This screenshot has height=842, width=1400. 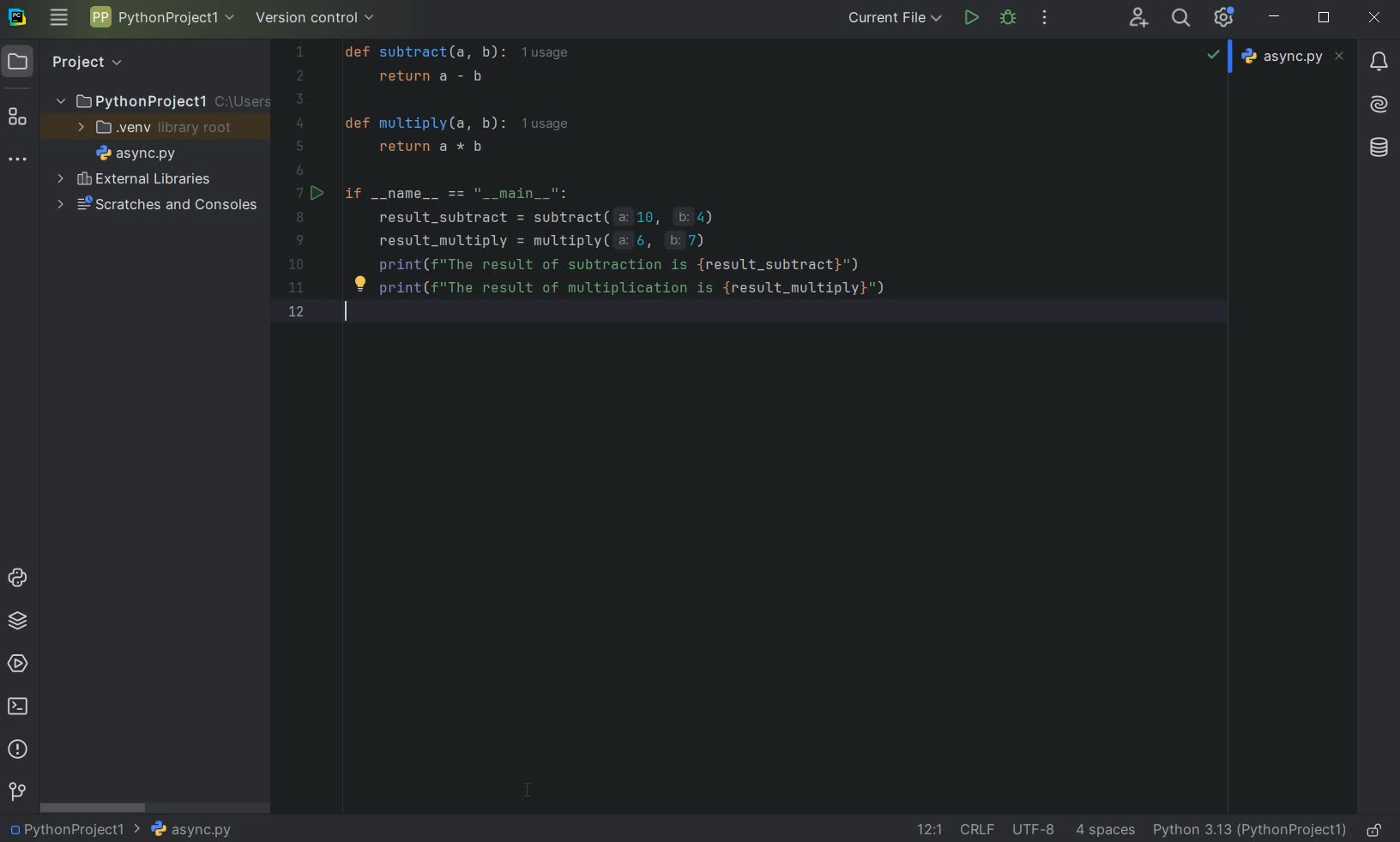 What do you see at coordinates (1326, 20) in the screenshot?
I see `restore down` at bounding box center [1326, 20].